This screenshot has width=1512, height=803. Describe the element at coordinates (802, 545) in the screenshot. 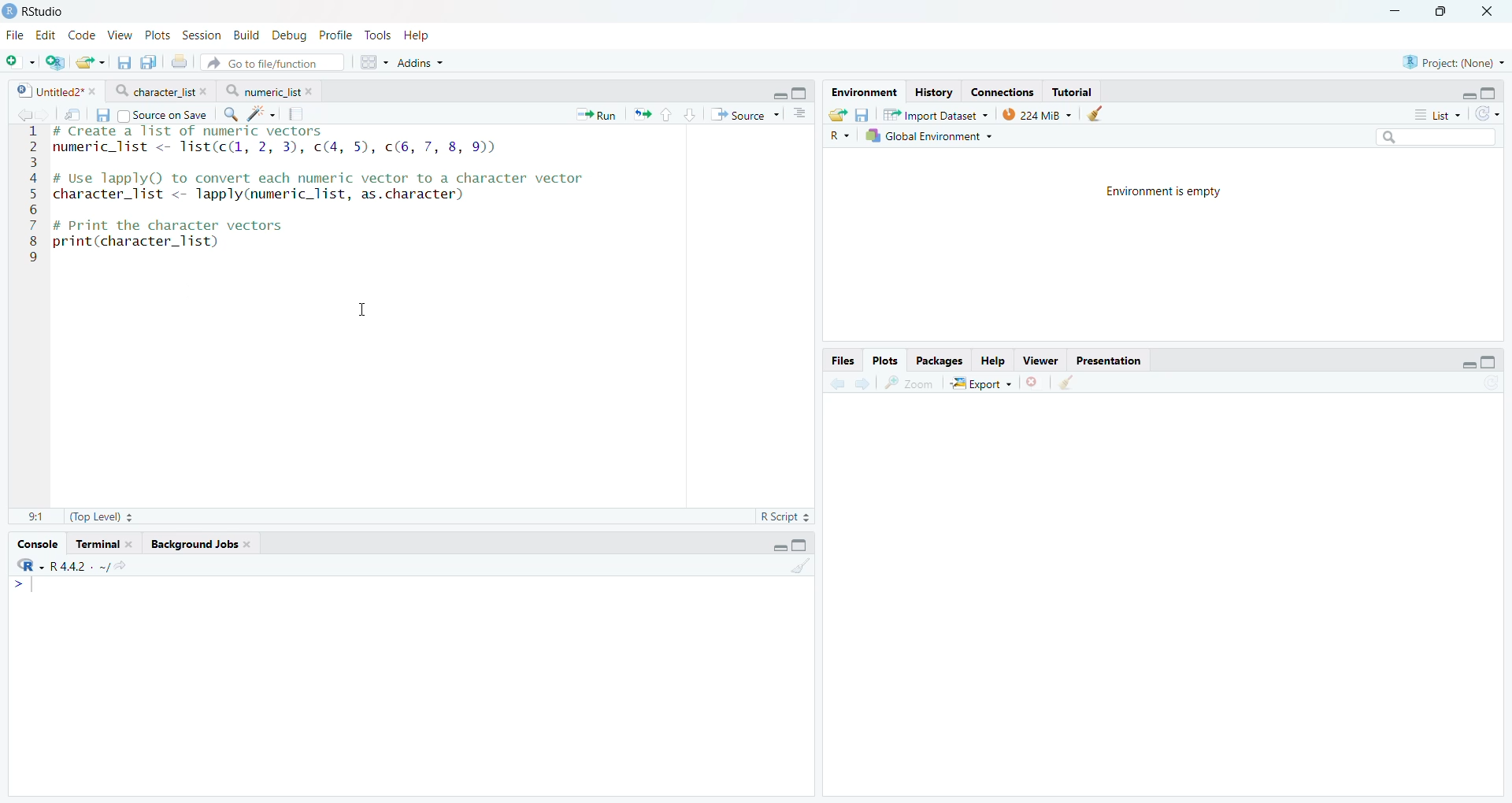

I see `Full Height` at that location.